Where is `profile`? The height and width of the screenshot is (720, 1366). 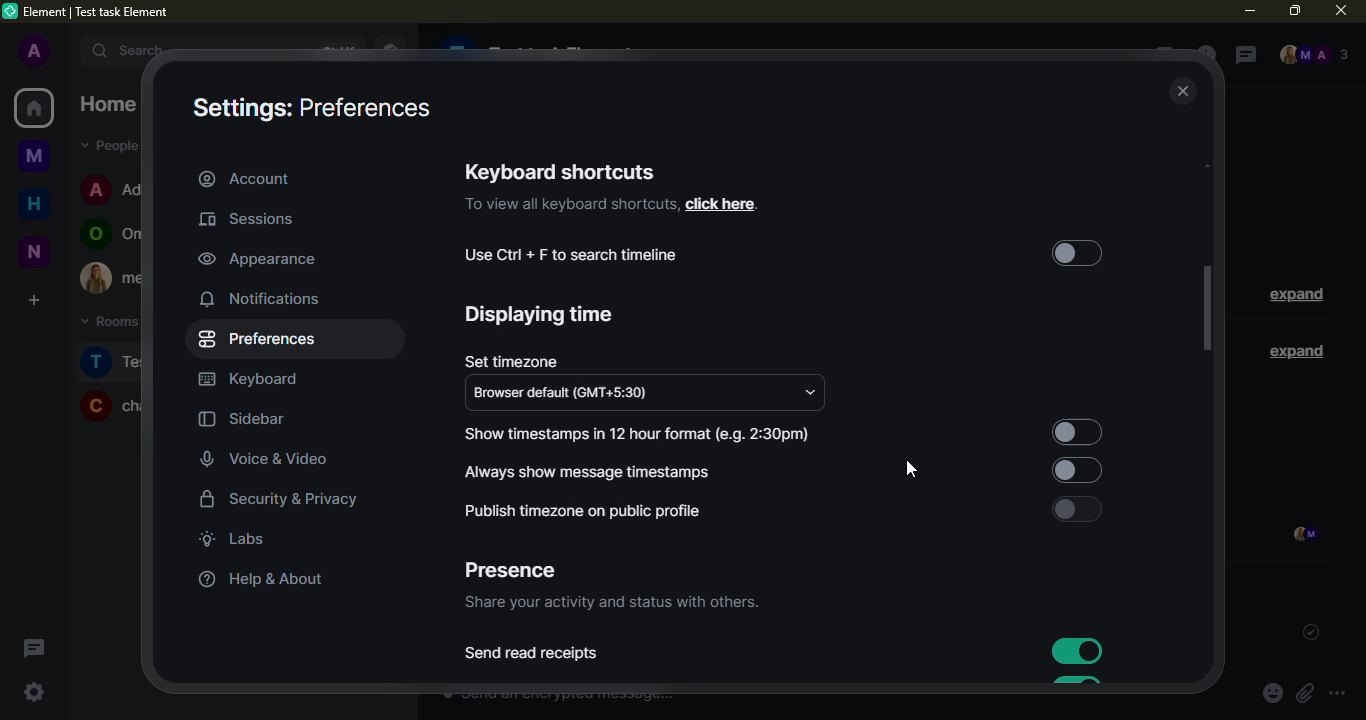
profile is located at coordinates (33, 52).